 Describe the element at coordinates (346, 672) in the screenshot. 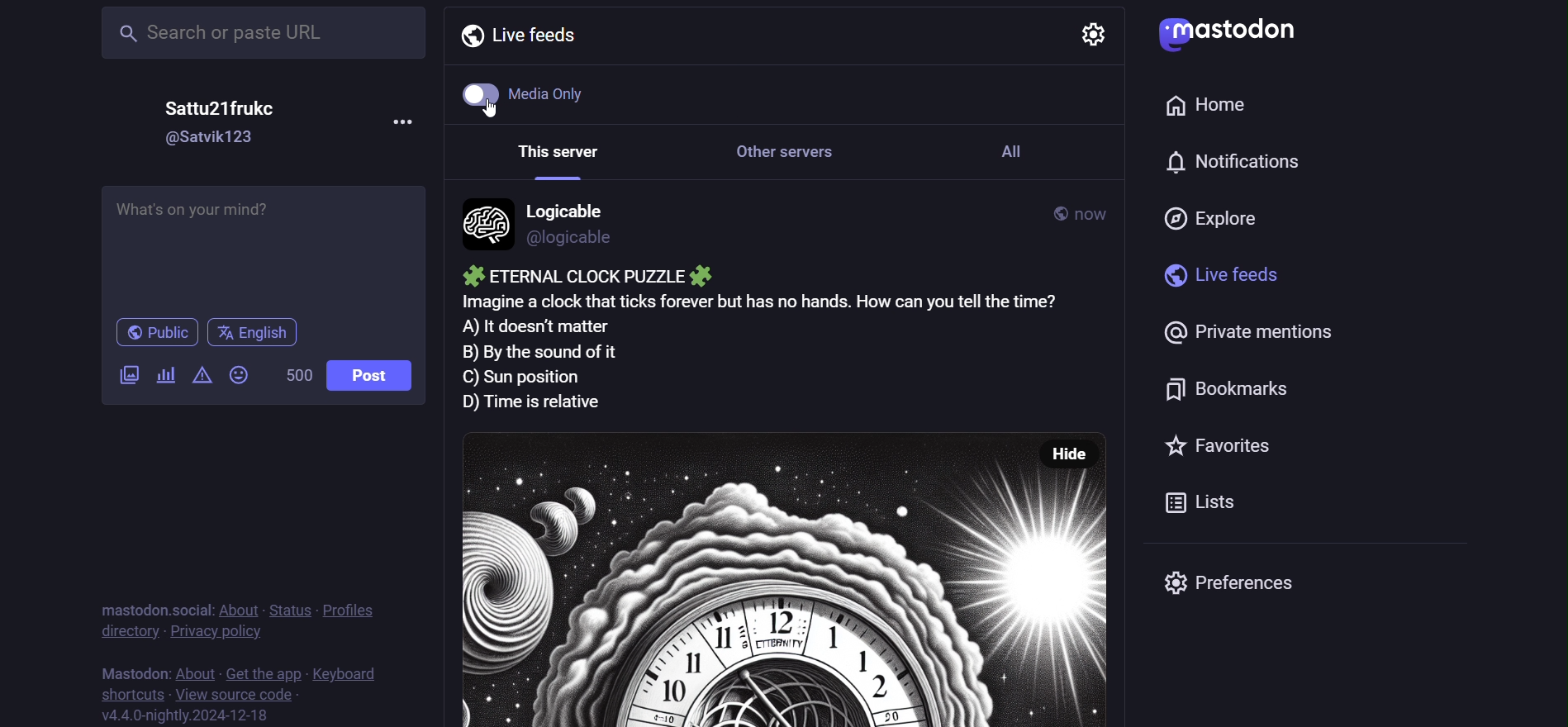

I see `keyboard` at that location.